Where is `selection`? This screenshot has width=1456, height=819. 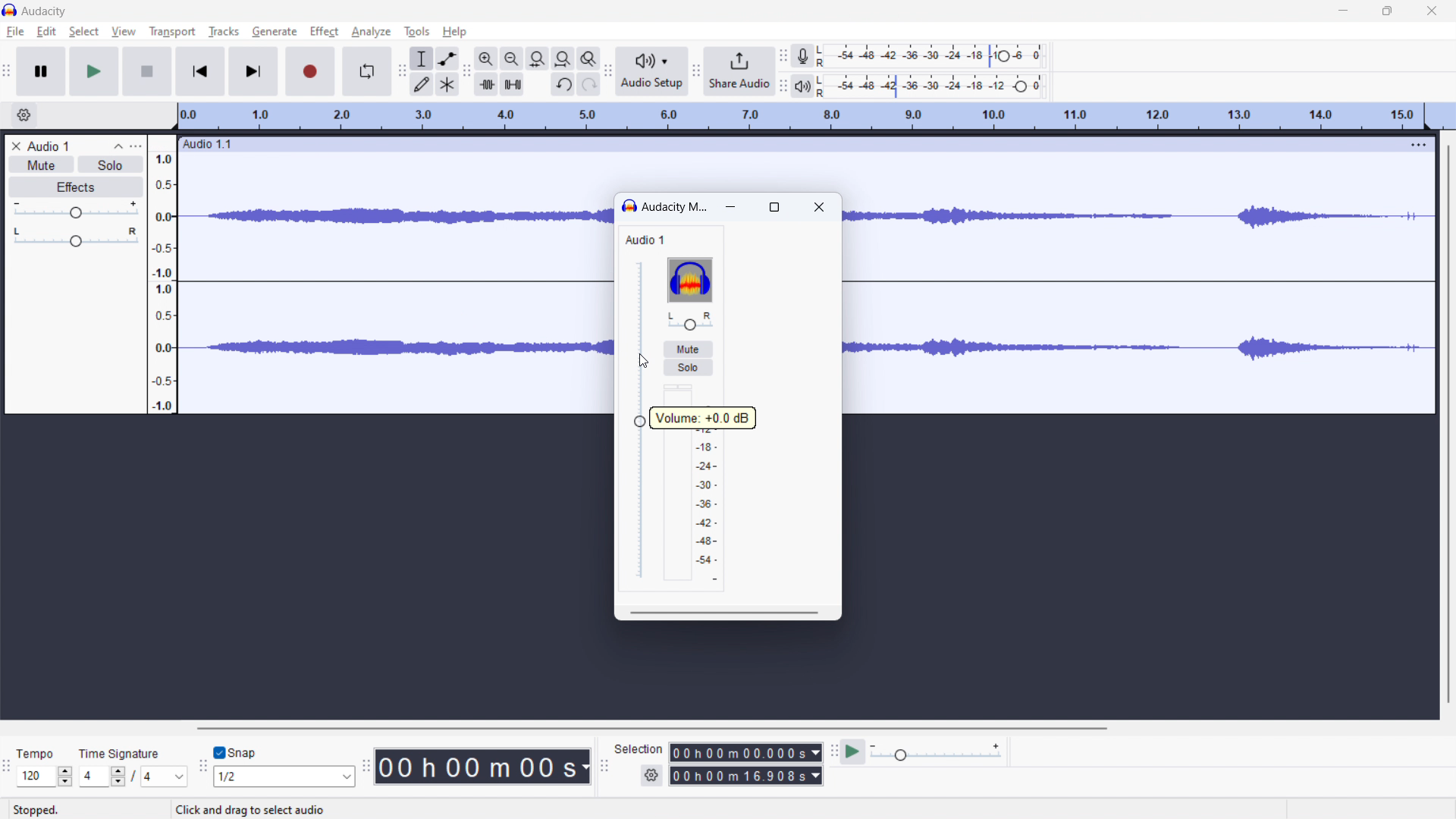 selection is located at coordinates (639, 752).